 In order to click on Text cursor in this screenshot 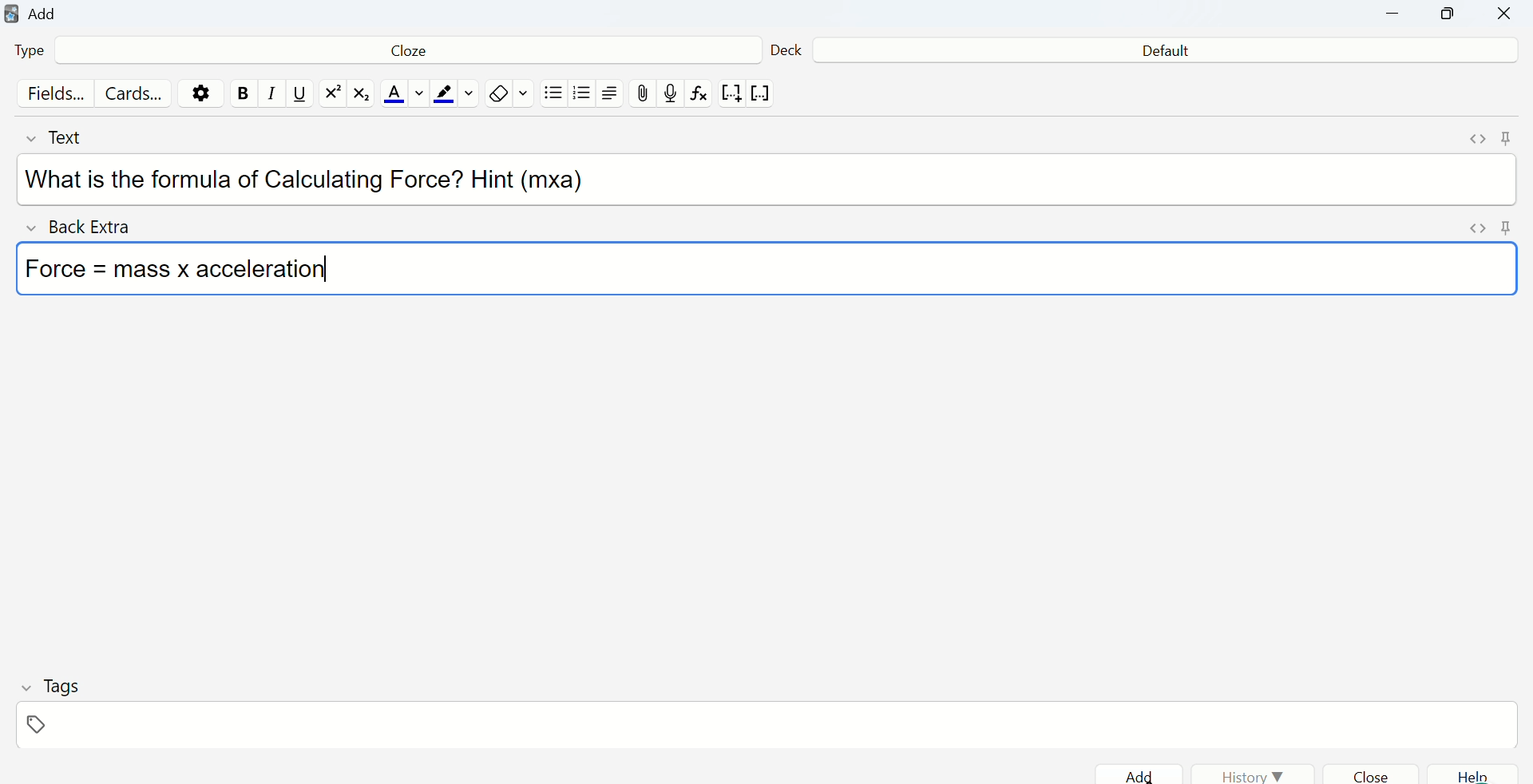, I will do `click(342, 263)`.